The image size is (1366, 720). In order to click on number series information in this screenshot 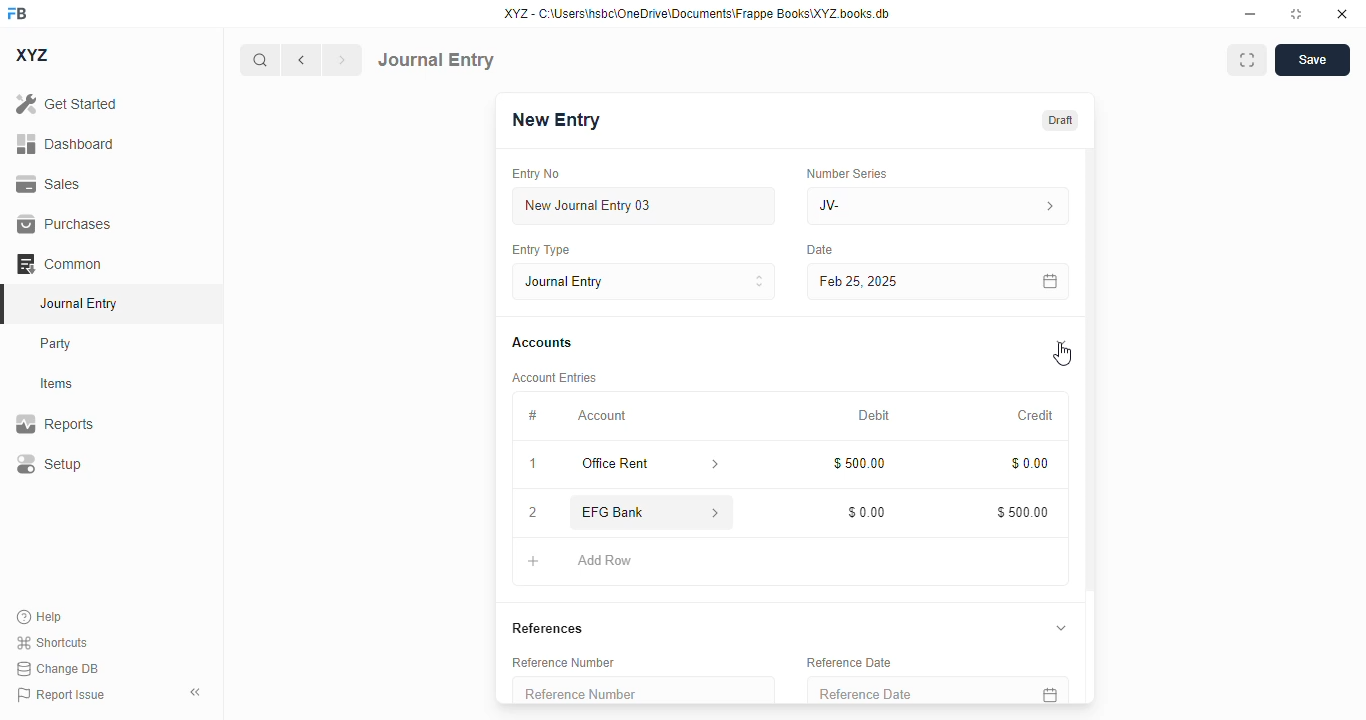, I will do `click(1048, 207)`.